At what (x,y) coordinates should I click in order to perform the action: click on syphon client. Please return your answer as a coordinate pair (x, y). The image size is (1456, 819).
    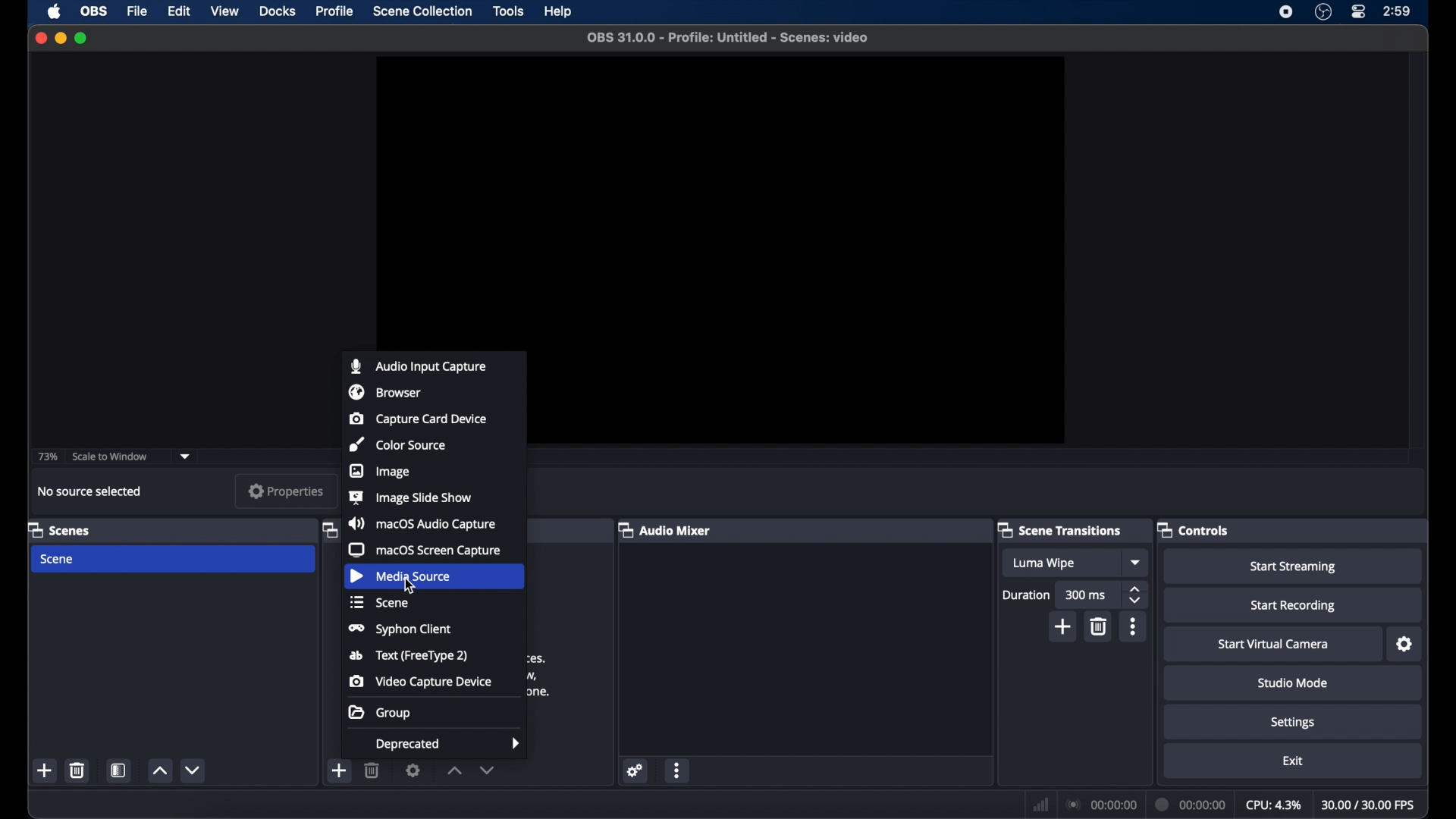
    Looking at the image, I should click on (399, 629).